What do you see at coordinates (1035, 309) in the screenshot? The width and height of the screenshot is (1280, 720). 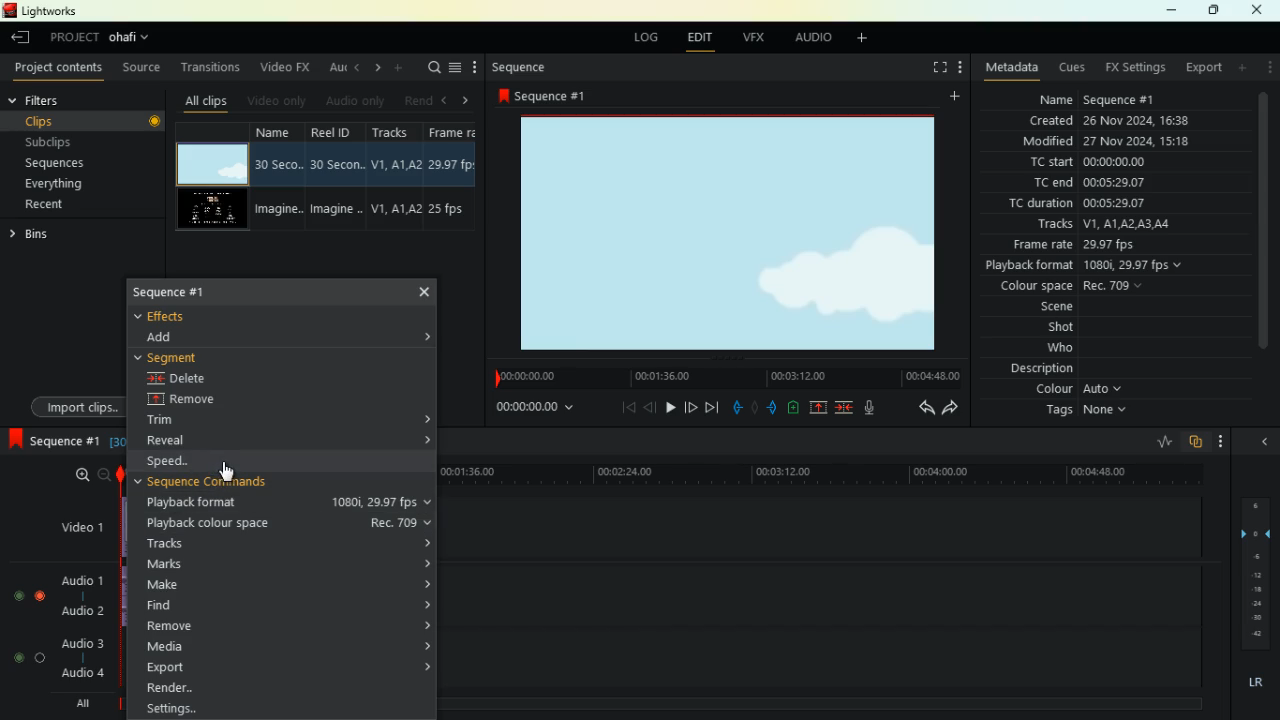 I see `scene` at bounding box center [1035, 309].